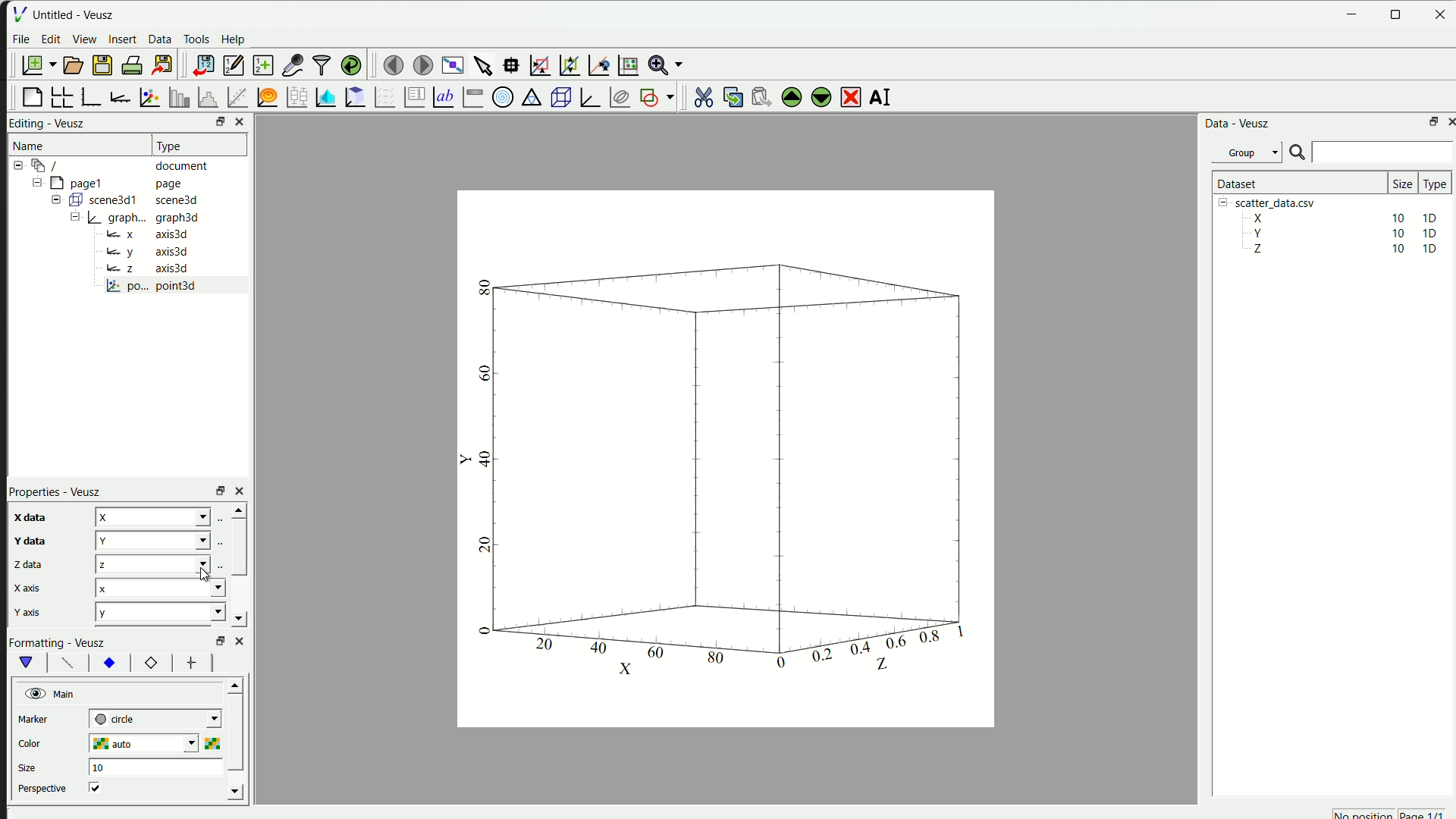  I want to click on search icon, so click(1298, 152).